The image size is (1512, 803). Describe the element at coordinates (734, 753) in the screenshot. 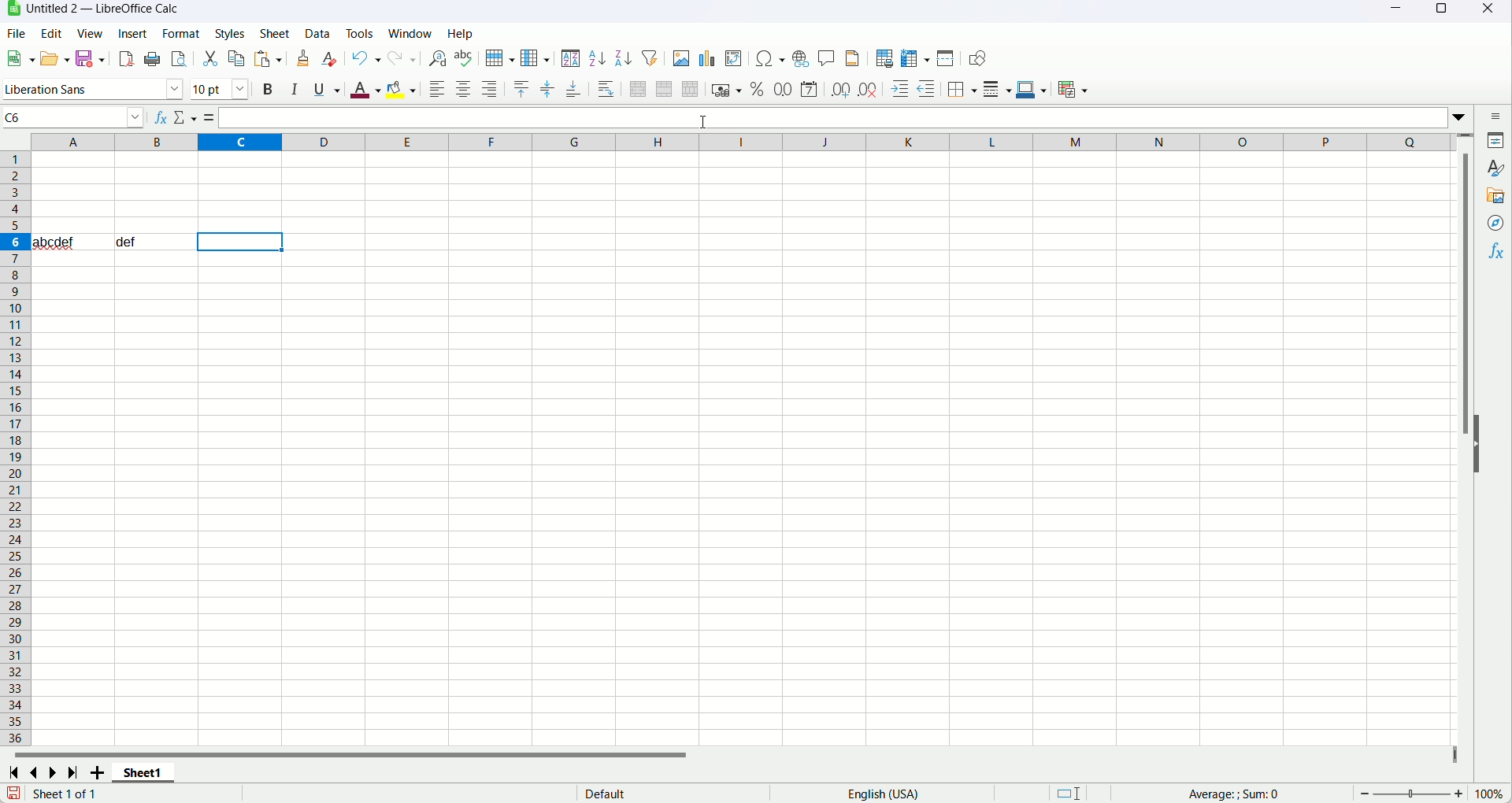

I see `horizontal scroll bar` at that location.